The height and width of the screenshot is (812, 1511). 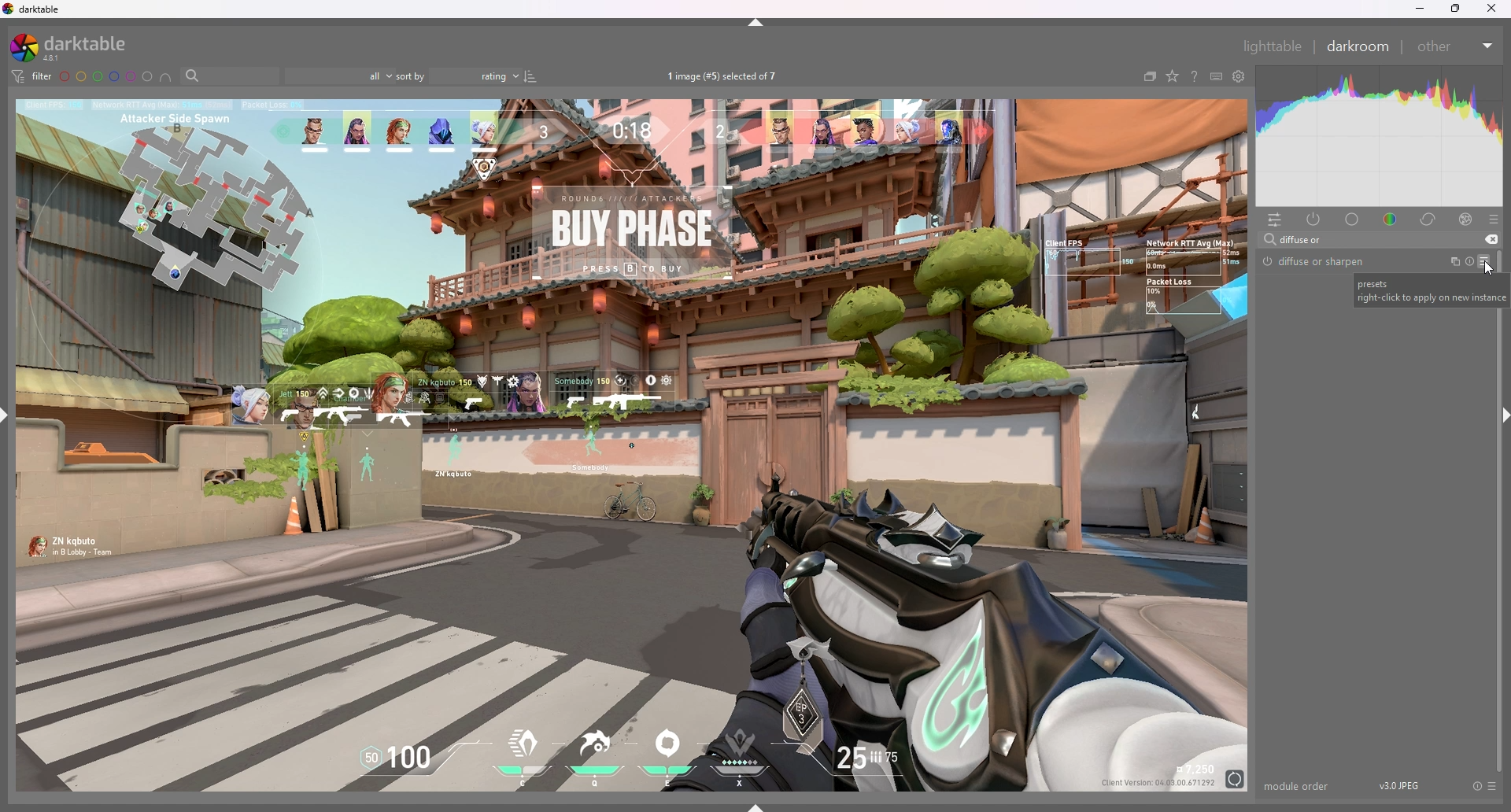 What do you see at coordinates (1422, 9) in the screenshot?
I see `minimize` at bounding box center [1422, 9].